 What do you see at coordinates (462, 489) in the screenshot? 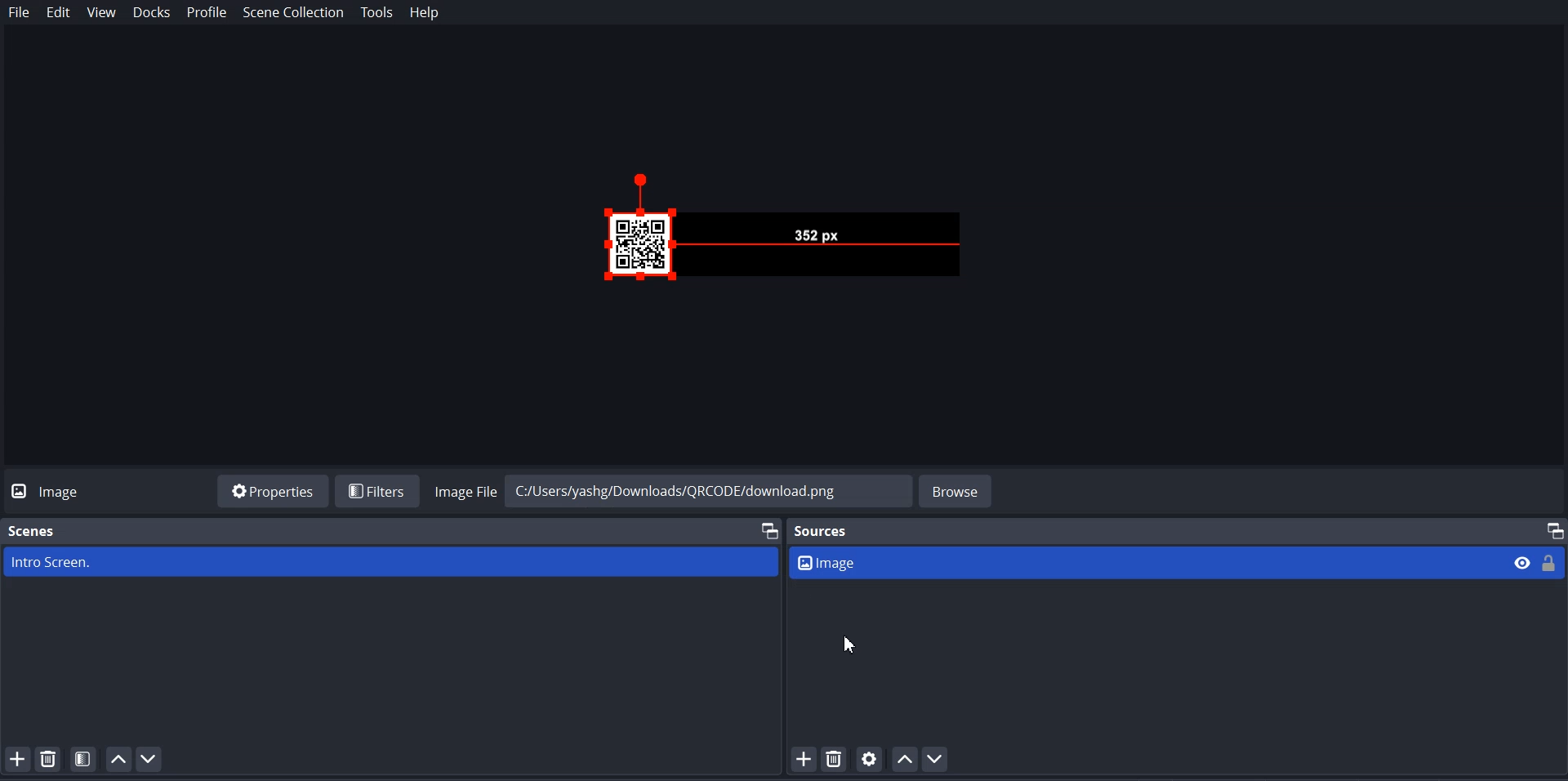
I see `Image File` at bounding box center [462, 489].